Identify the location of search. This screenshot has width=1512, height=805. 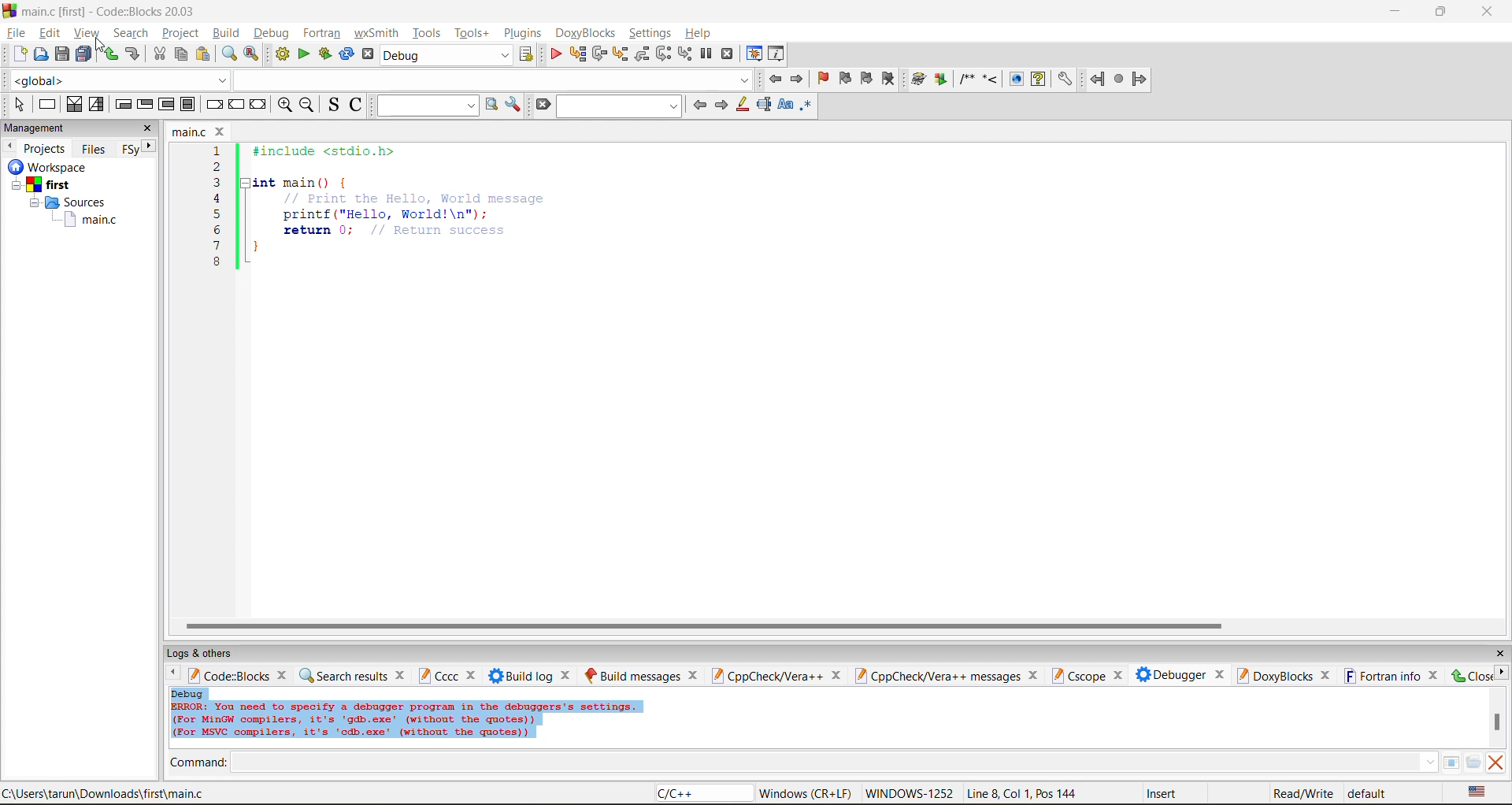
(131, 32).